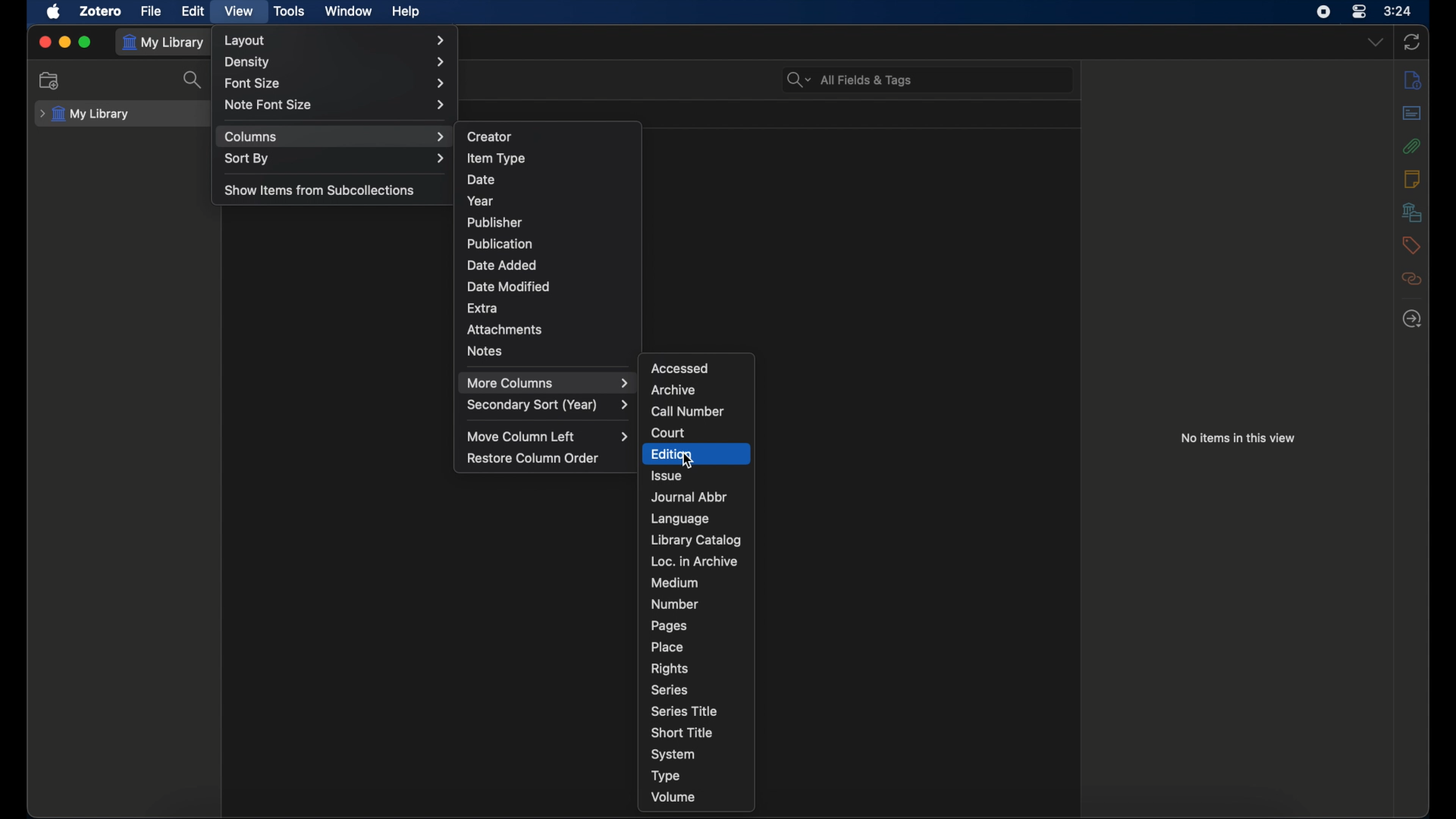  Describe the element at coordinates (152, 12) in the screenshot. I see `file` at that location.